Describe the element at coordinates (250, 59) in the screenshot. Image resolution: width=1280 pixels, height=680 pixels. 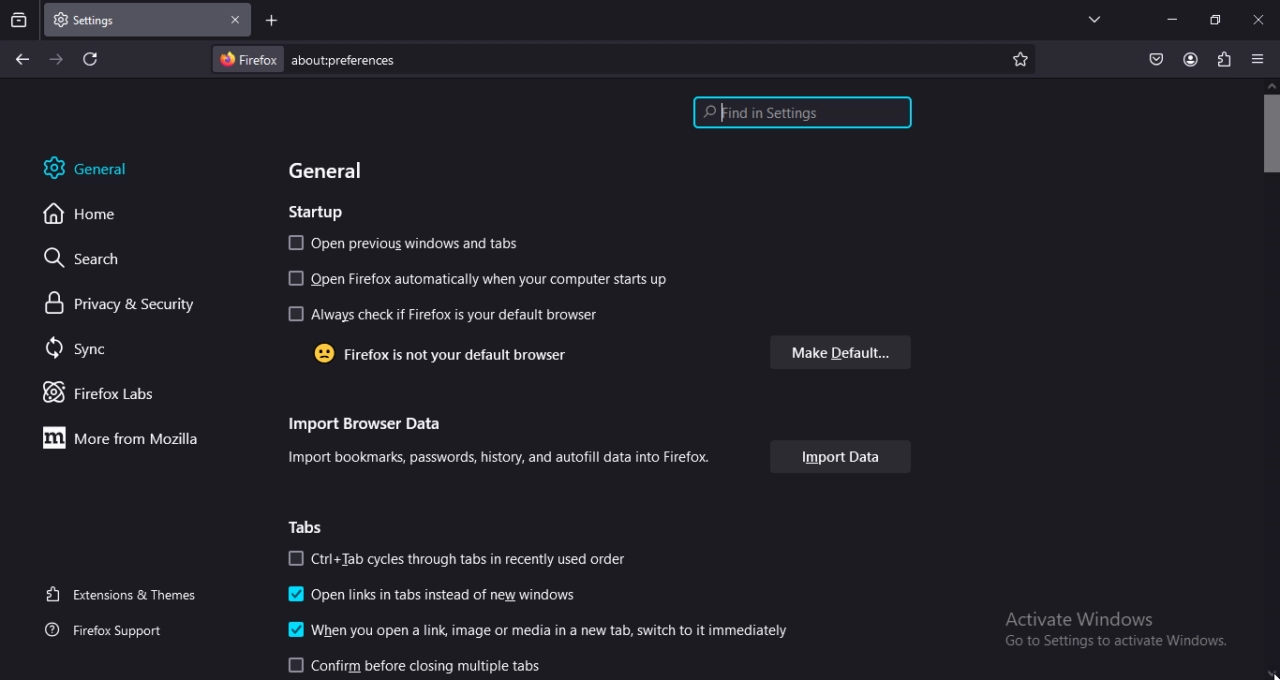
I see ` Firefox` at that location.